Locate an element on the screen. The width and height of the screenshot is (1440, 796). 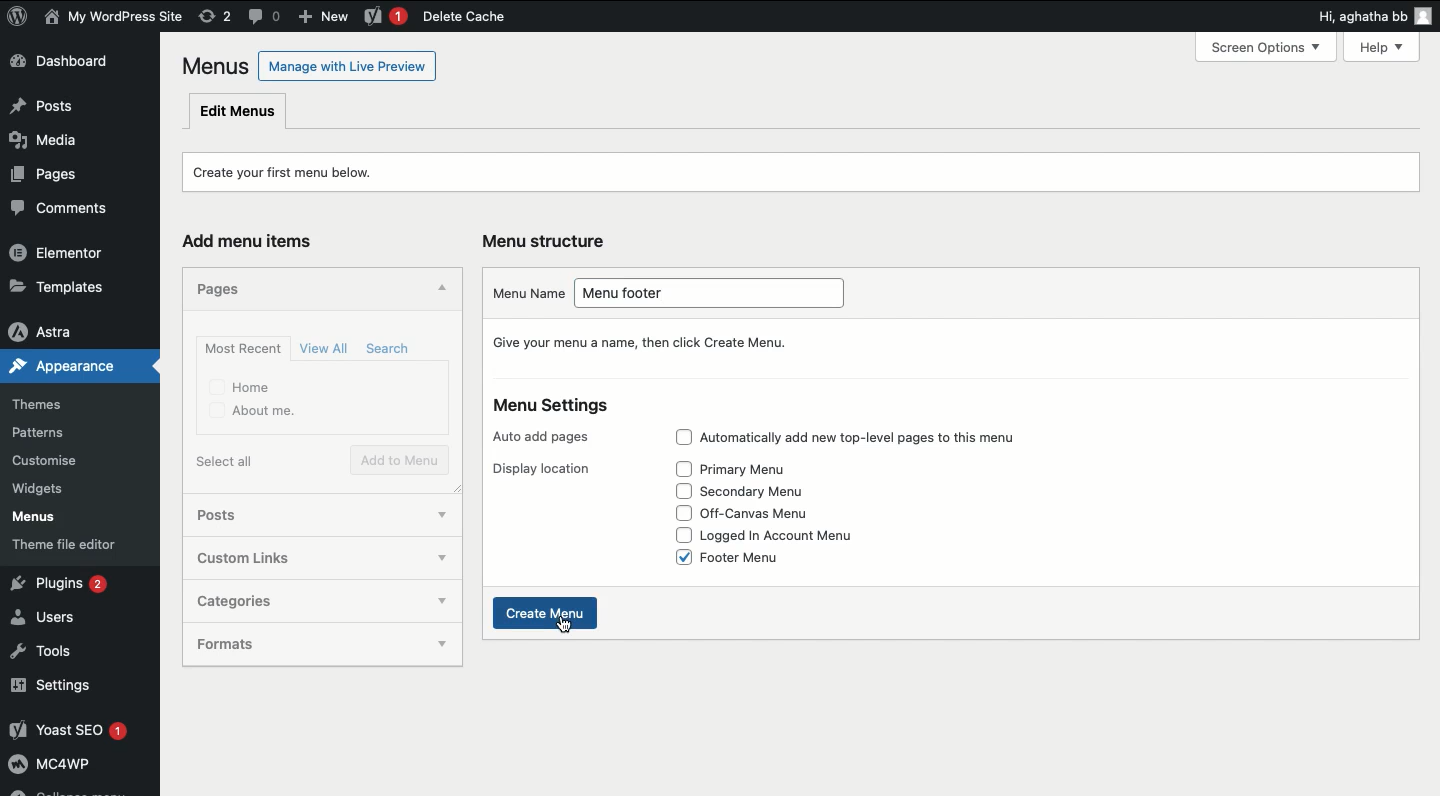
Give your menu a name, then click Create Menu. is located at coordinates (653, 344).